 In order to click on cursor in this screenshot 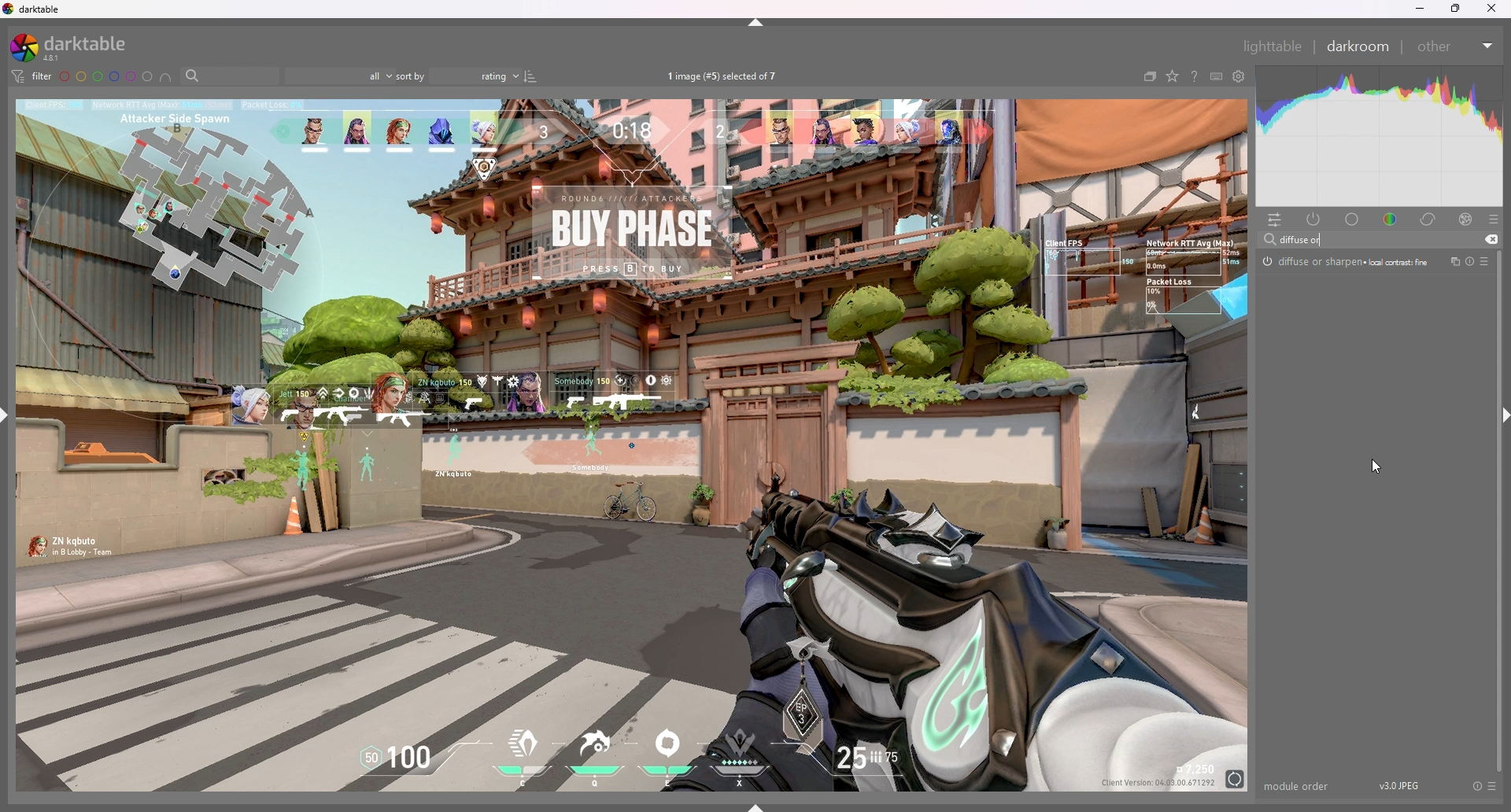, I will do `click(1376, 464)`.